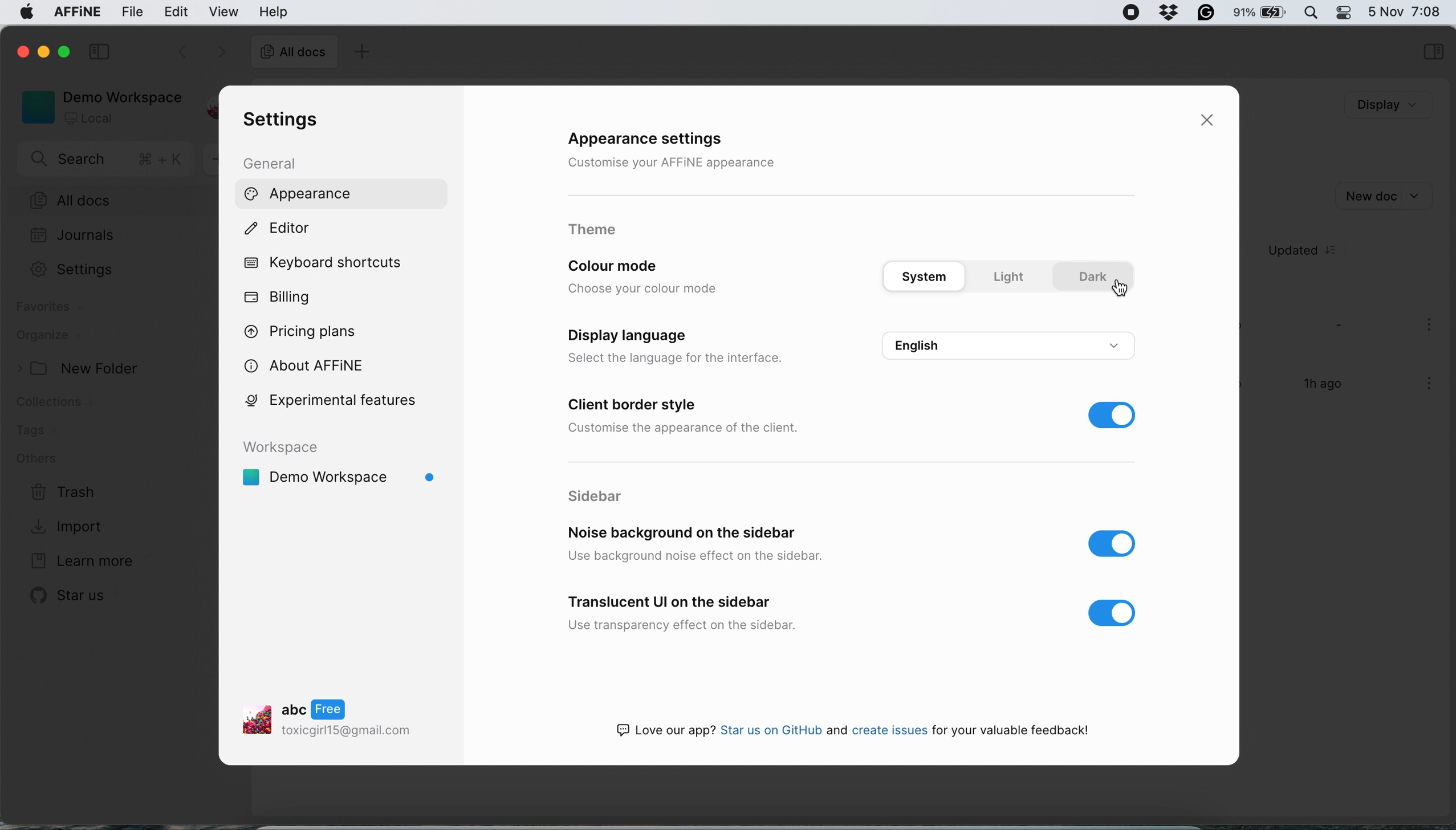 The height and width of the screenshot is (830, 1456). Describe the element at coordinates (70, 270) in the screenshot. I see `settings` at that location.